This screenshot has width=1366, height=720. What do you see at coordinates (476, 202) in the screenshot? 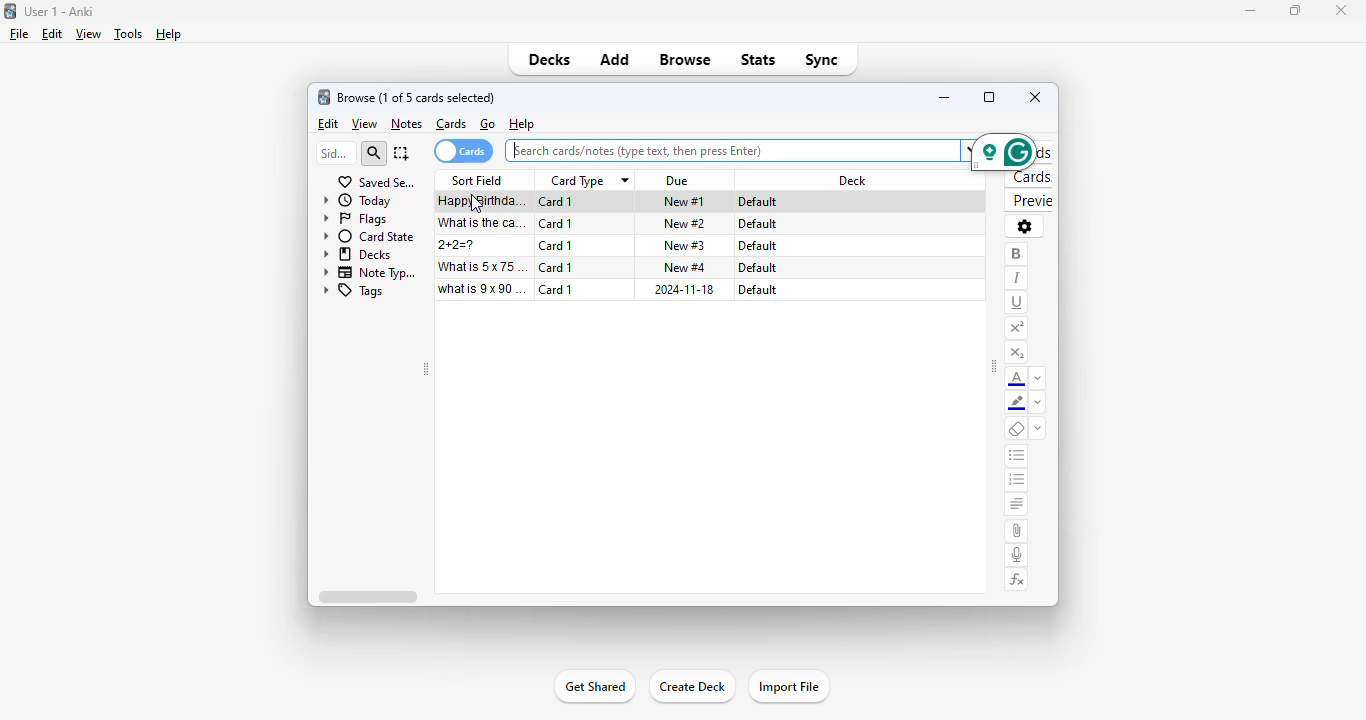
I see `happy birthday song!!!.mp3` at bounding box center [476, 202].